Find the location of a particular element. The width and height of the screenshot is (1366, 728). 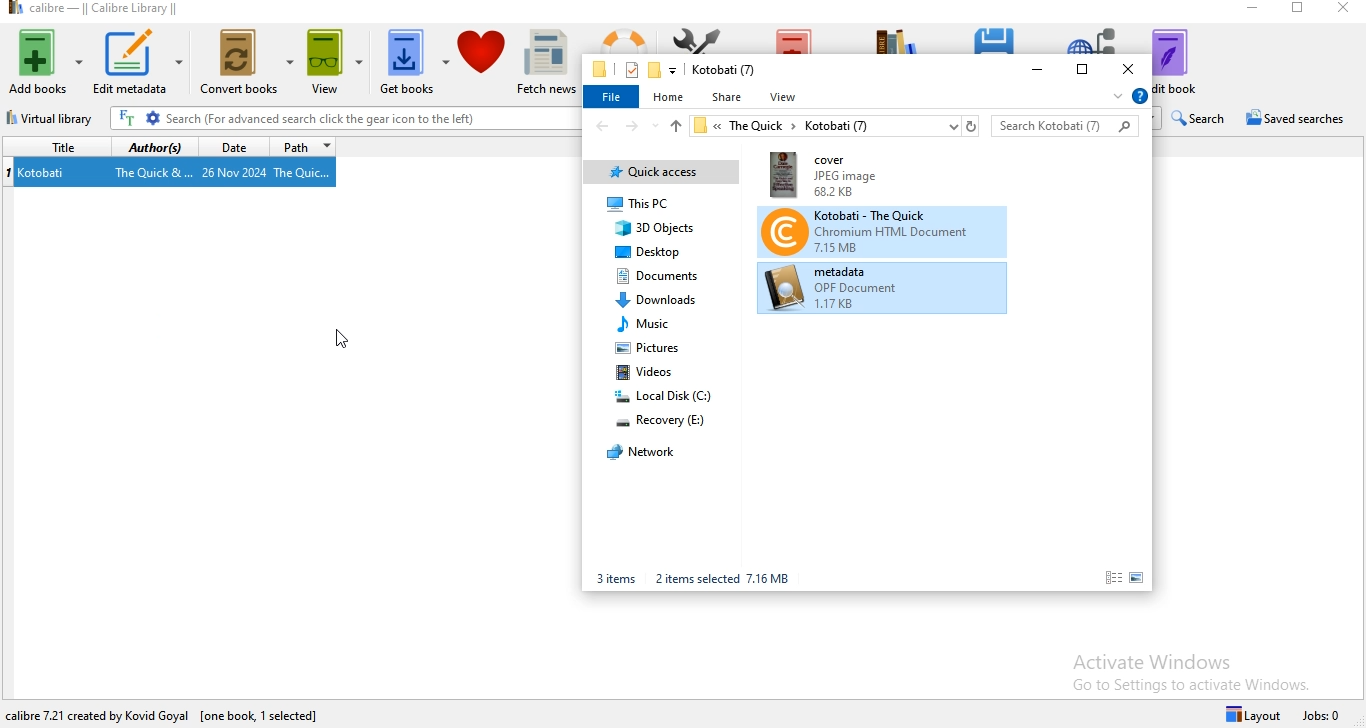

virtual library is located at coordinates (50, 120).